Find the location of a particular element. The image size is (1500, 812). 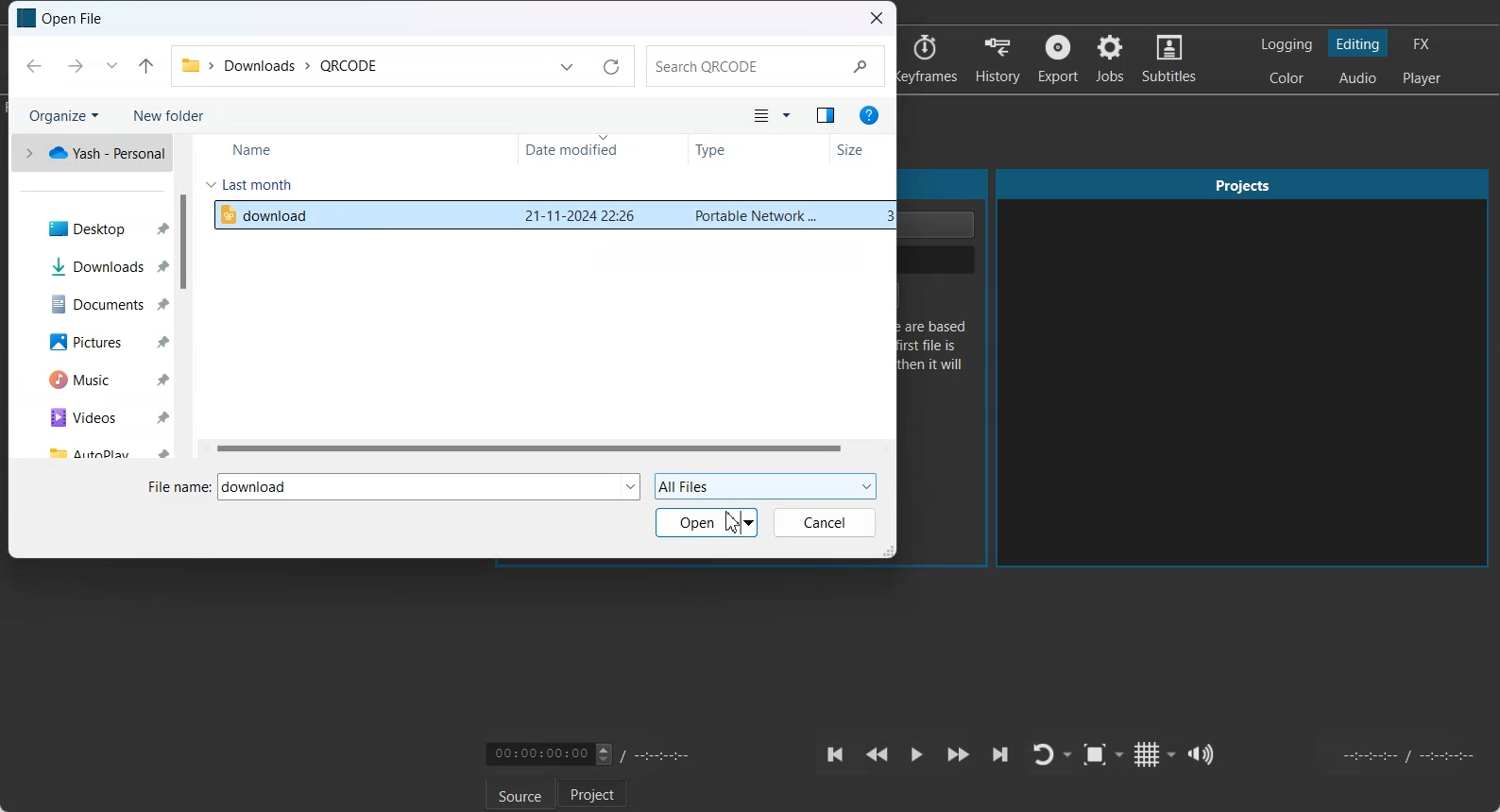

One drive file is located at coordinates (91, 154).